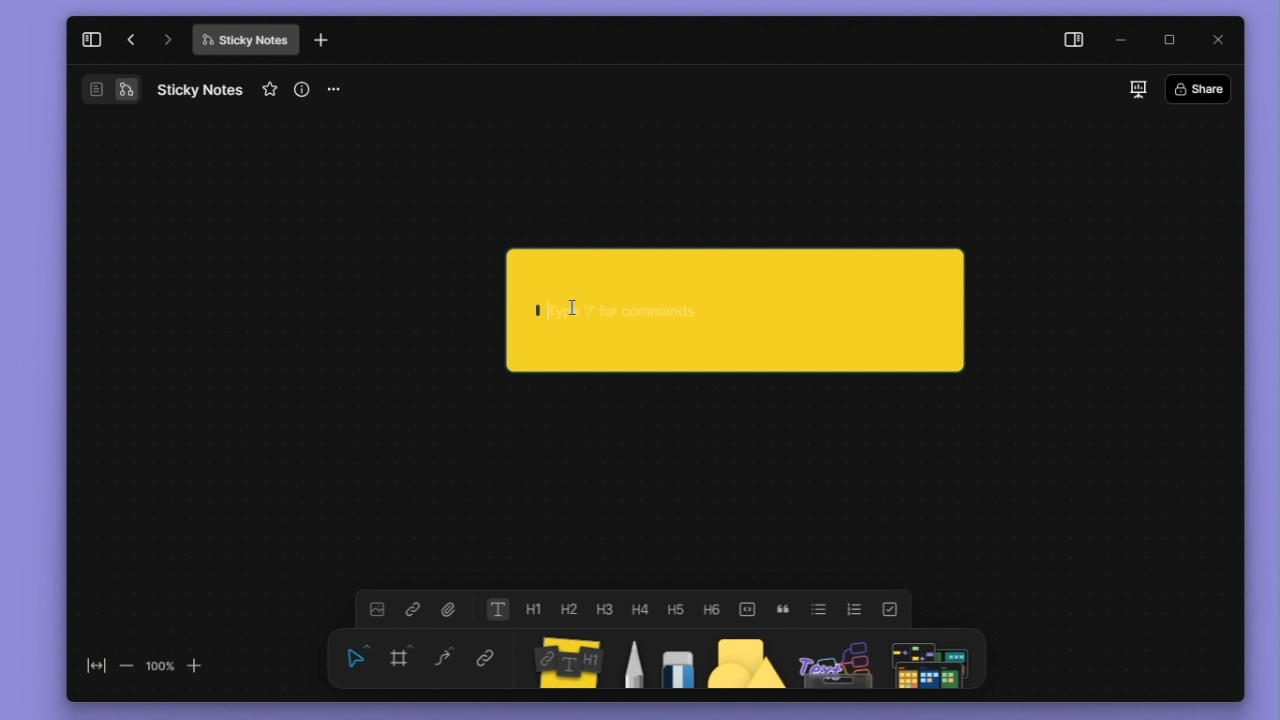 The height and width of the screenshot is (720, 1280). What do you see at coordinates (129, 90) in the screenshot?
I see `Flowchart` at bounding box center [129, 90].